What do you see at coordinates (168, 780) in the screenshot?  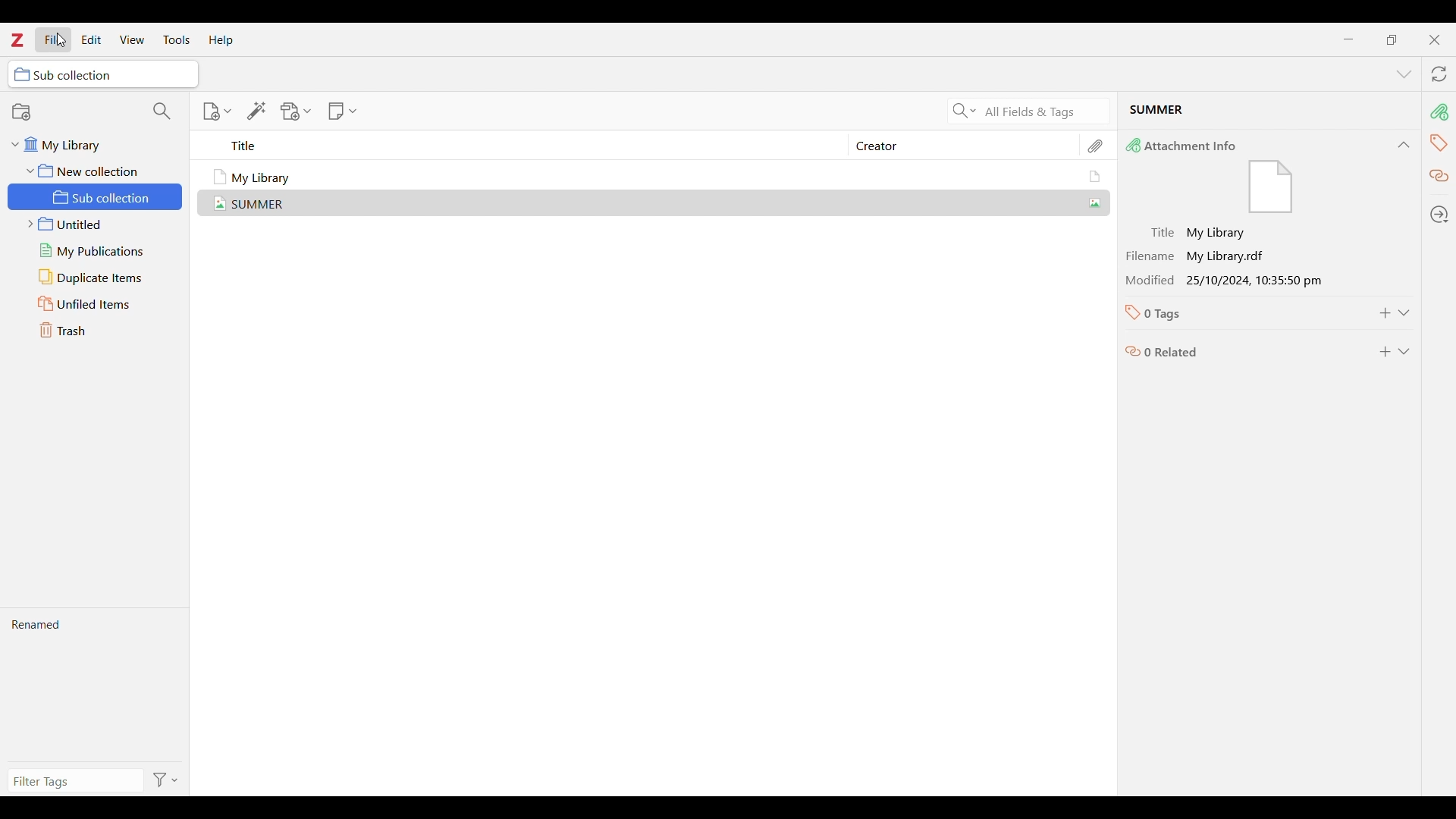 I see `Filter` at bounding box center [168, 780].